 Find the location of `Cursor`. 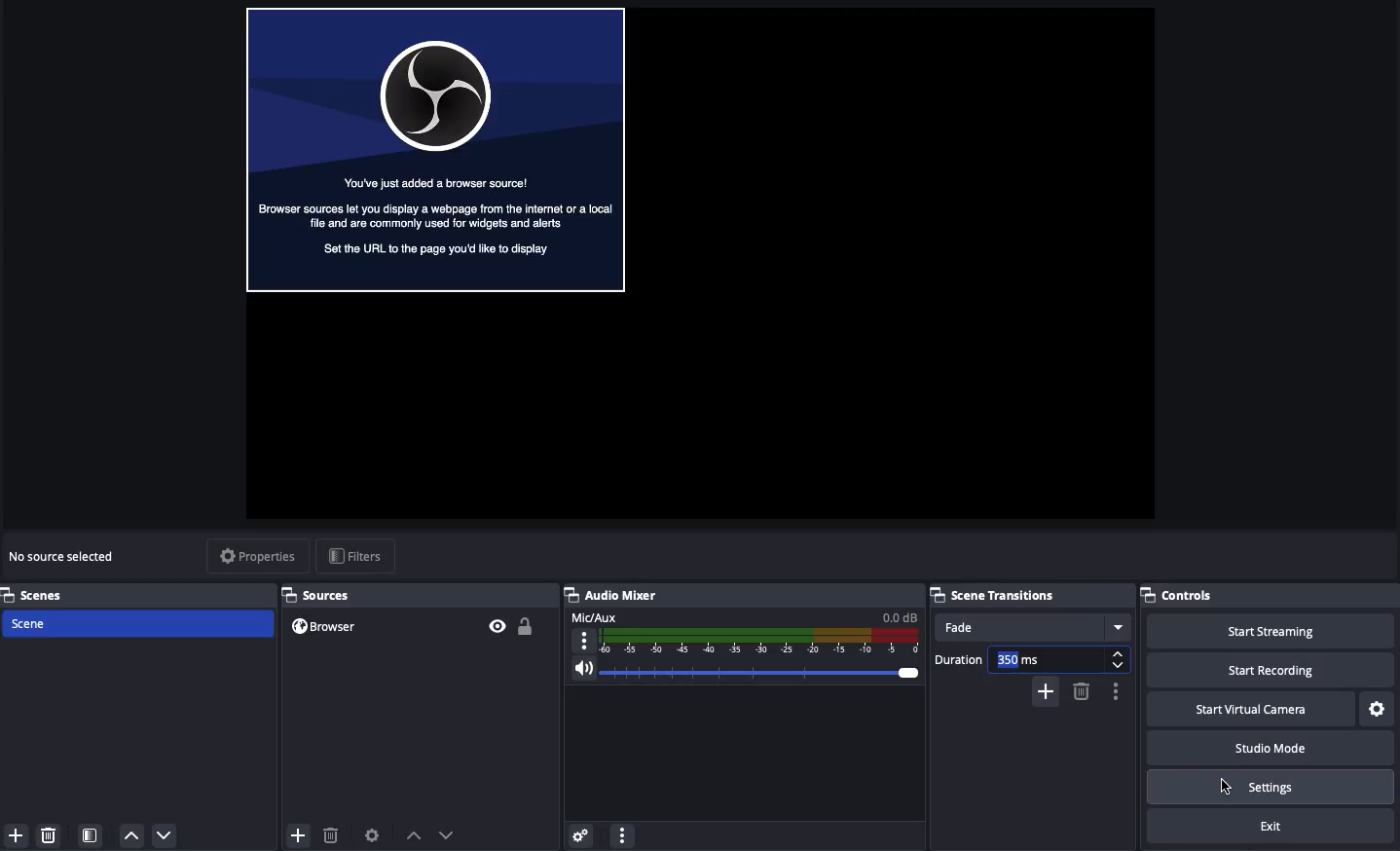

Cursor is located at coordinates (1231, 789).